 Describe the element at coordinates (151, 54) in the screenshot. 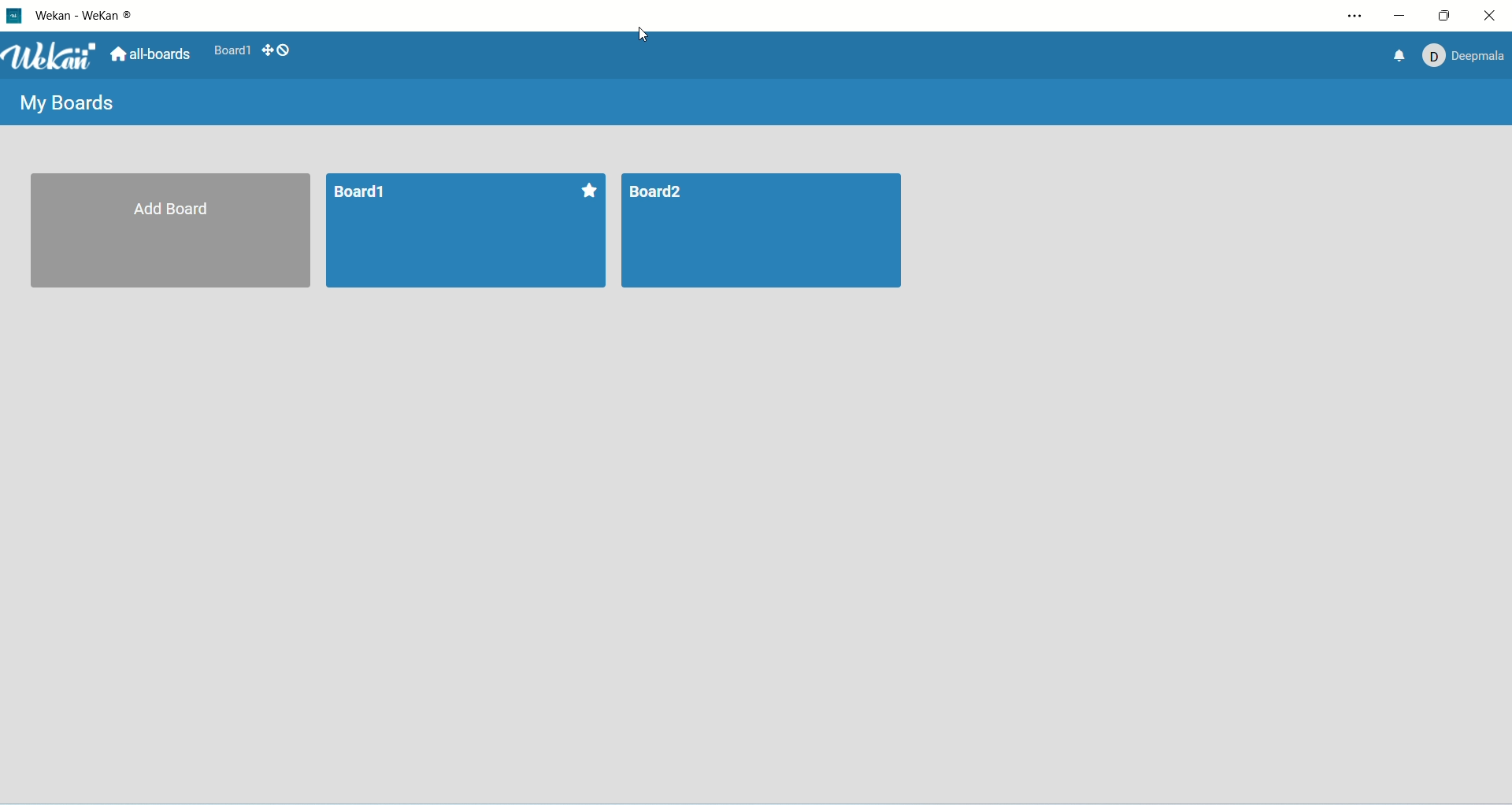

I see `all boards` at that location.